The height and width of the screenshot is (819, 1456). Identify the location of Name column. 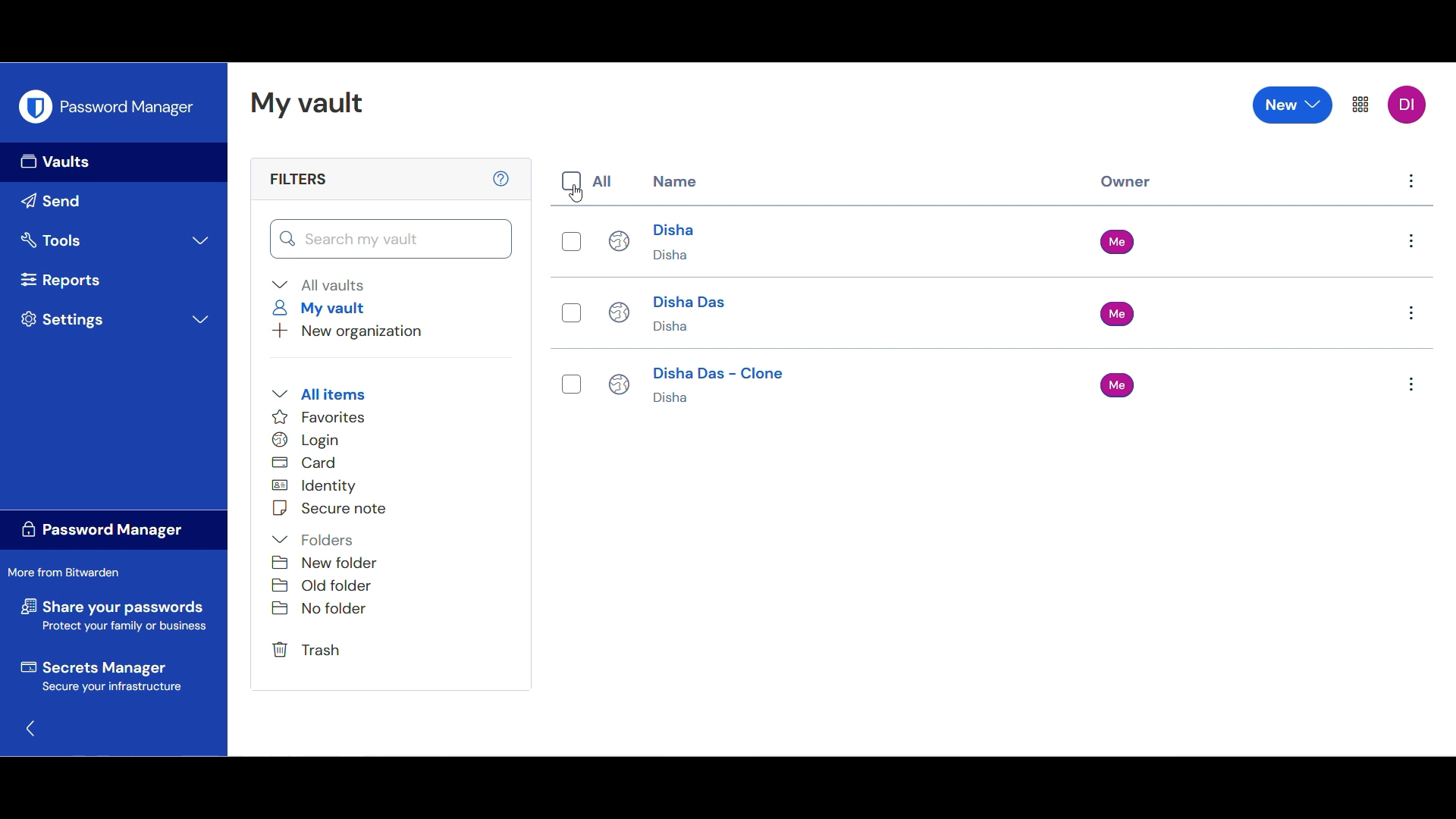
(675, 180).